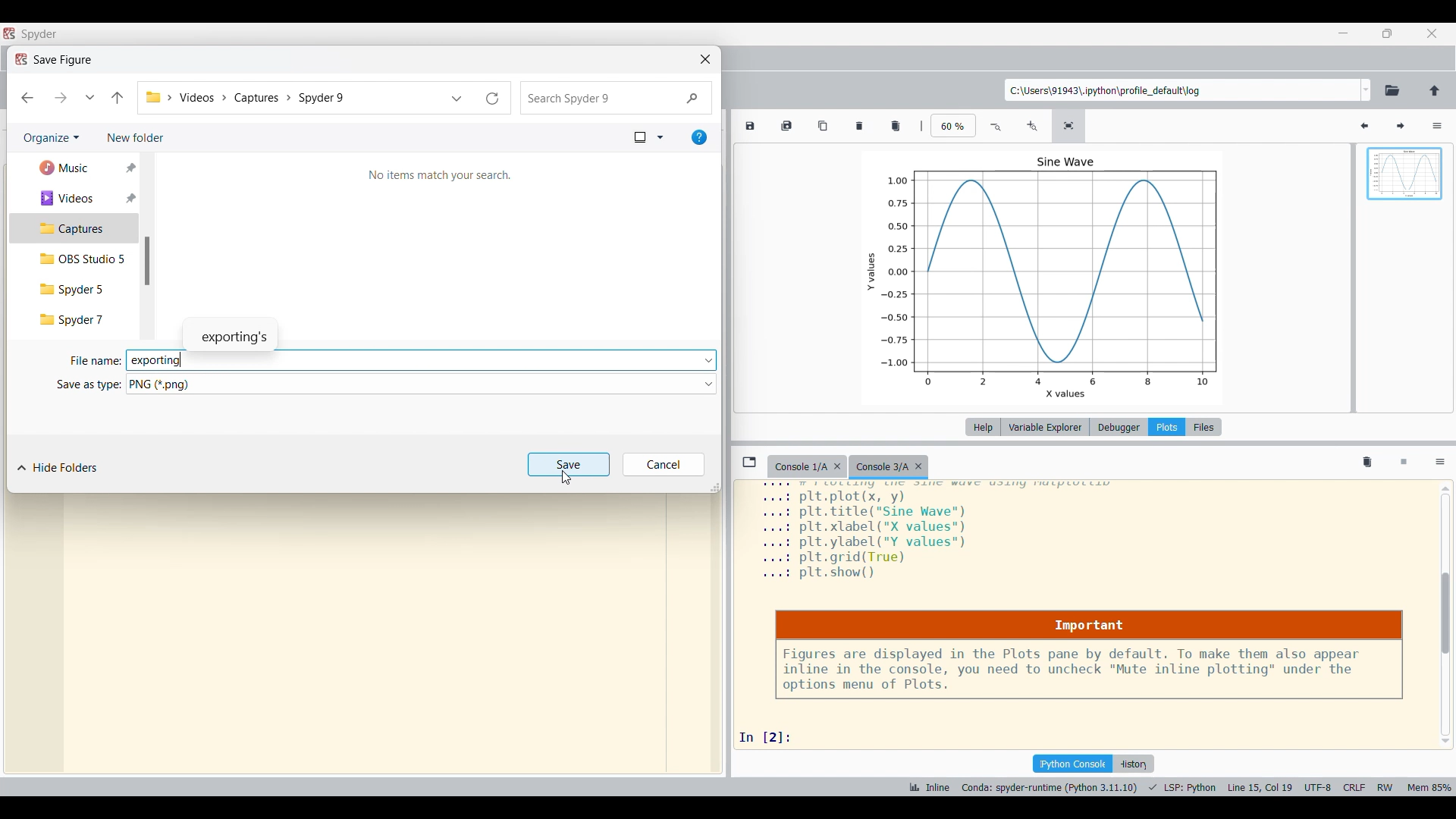 The image size is (1456, 819). I want to click on Indicates save as type, so click(89, 385).